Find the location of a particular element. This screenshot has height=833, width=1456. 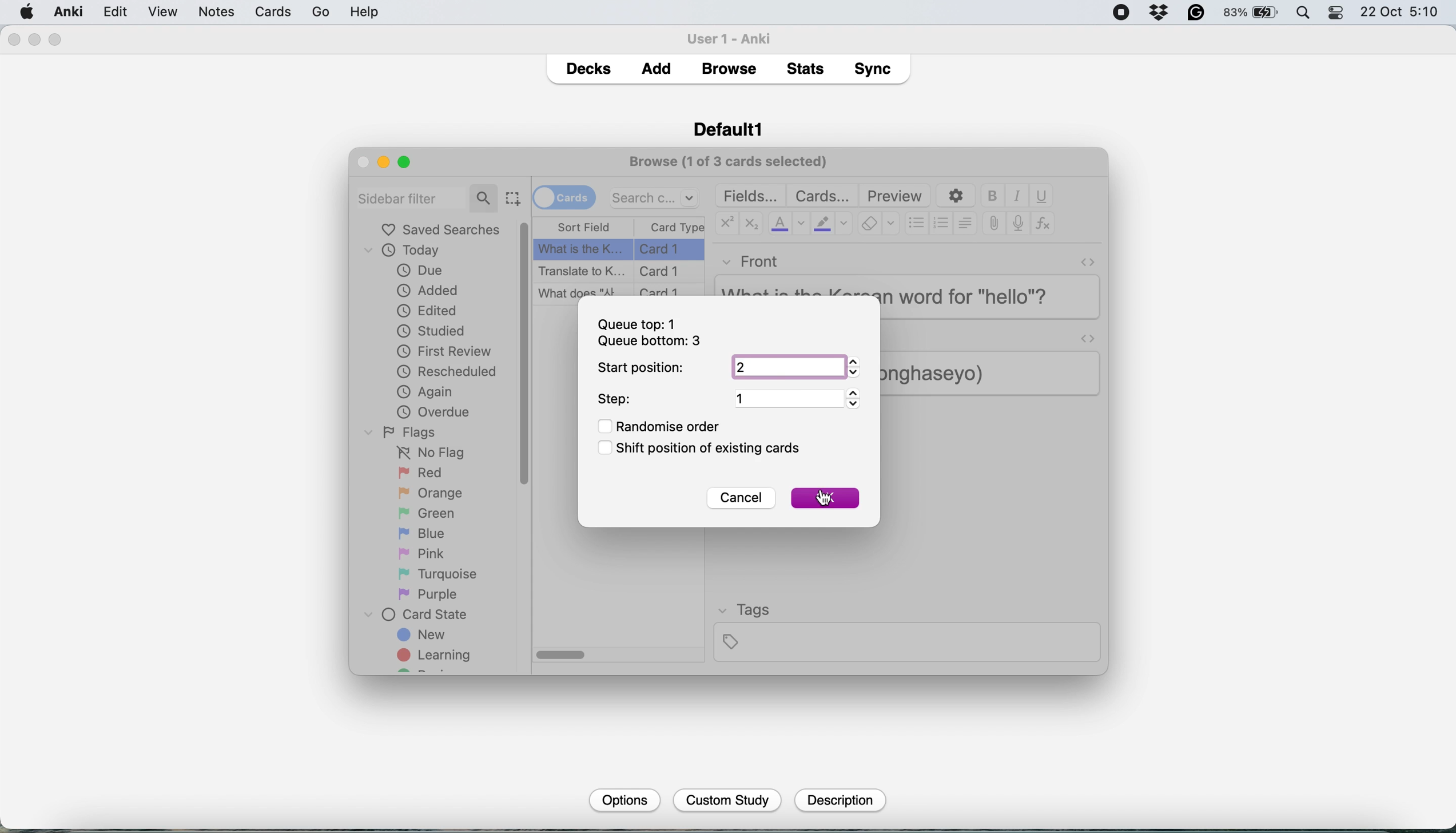

minimise is located at coordinates (35, 39).